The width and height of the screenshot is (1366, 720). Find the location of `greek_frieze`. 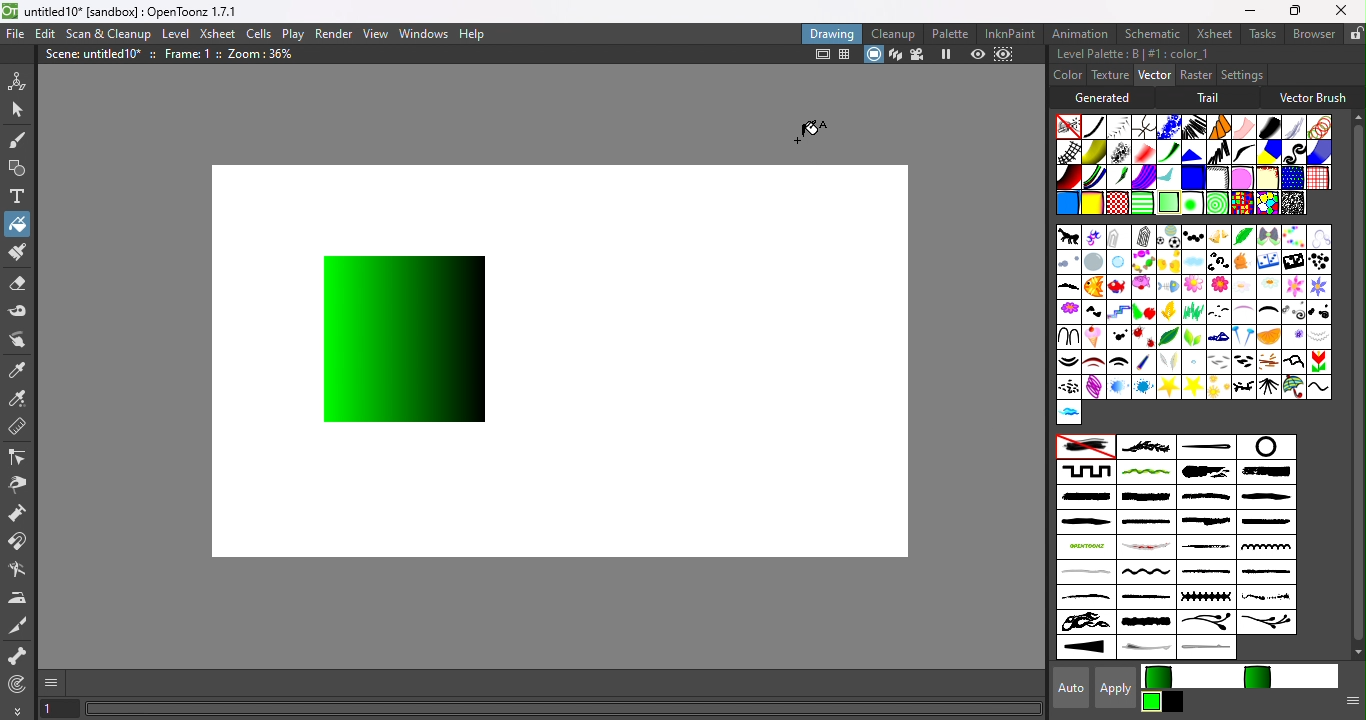

greek_frieze is located at coordinates (1086, 471).